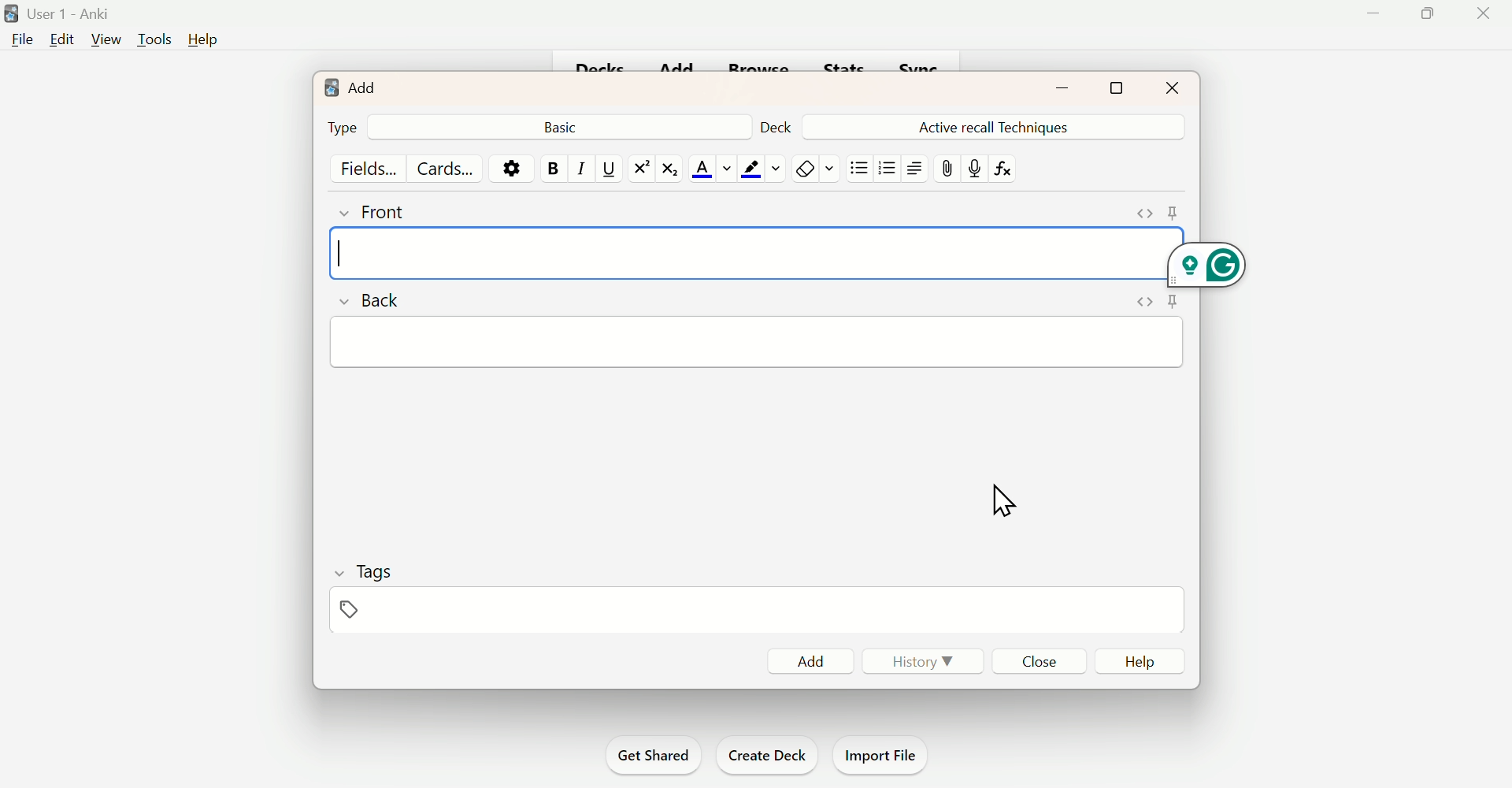 This screenshot has height=788, width=1512. I want to click on Superscript, so click(639, 168).